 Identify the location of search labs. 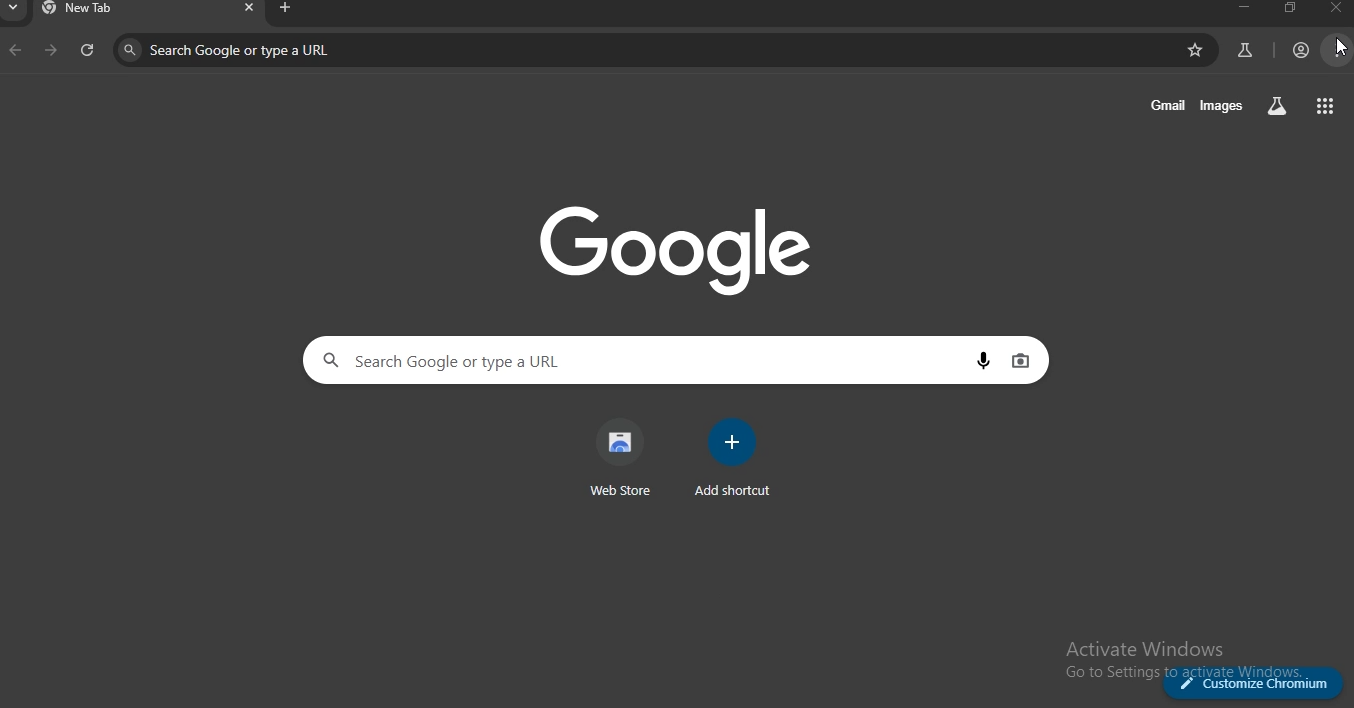
(1241, 54).